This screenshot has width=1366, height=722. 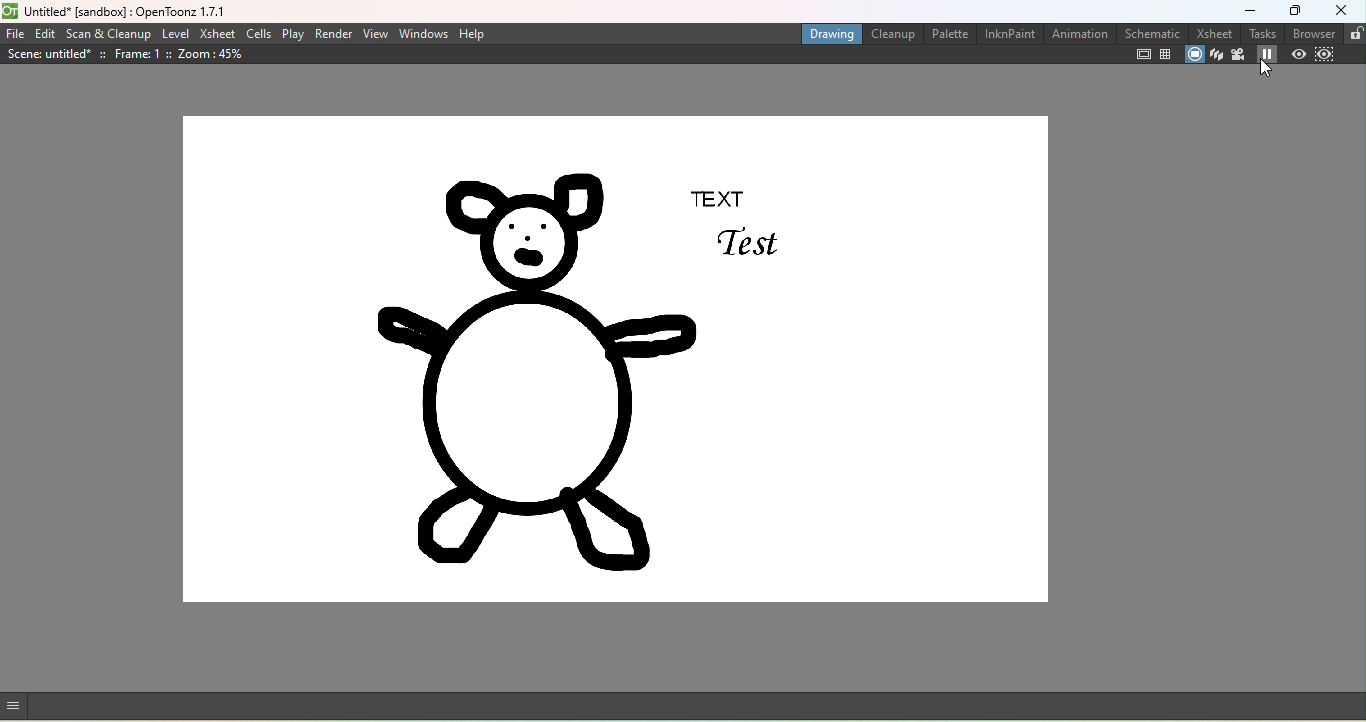 I want to click on Field guide, so click(x=1166, y=55).